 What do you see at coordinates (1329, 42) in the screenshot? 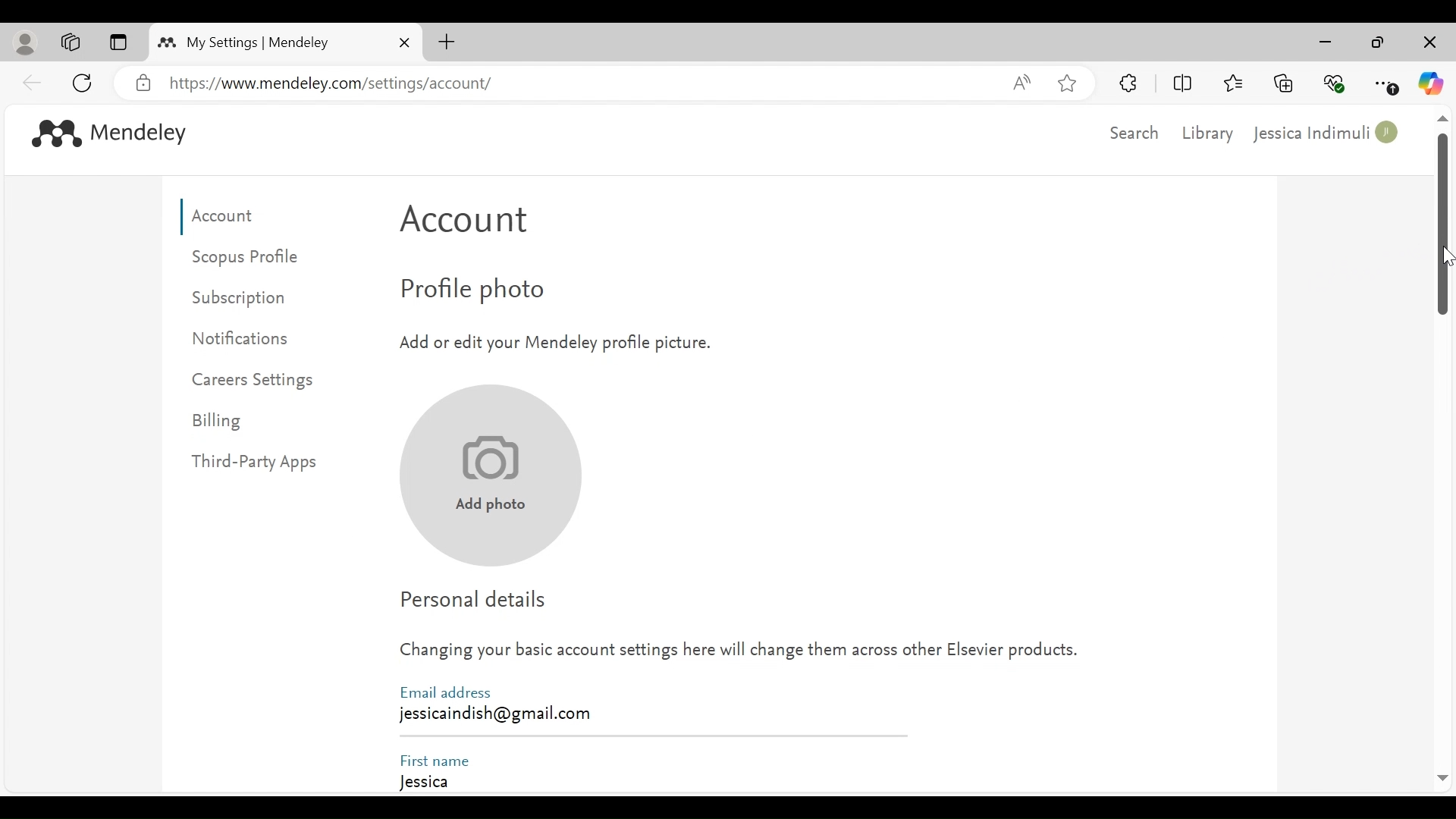
I see `minimize` at bounding box center [1329, 42].